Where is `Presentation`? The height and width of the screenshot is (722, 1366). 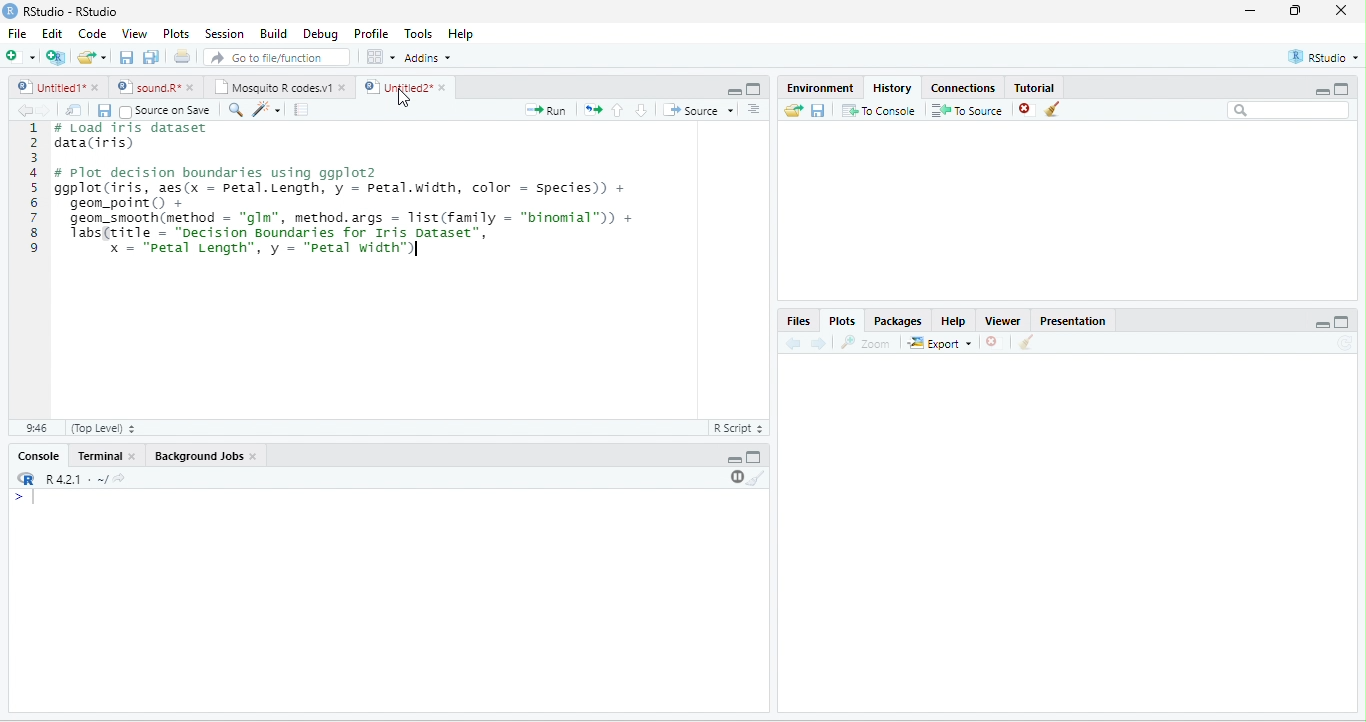
Presentation is located at coordinates (1074, 321).